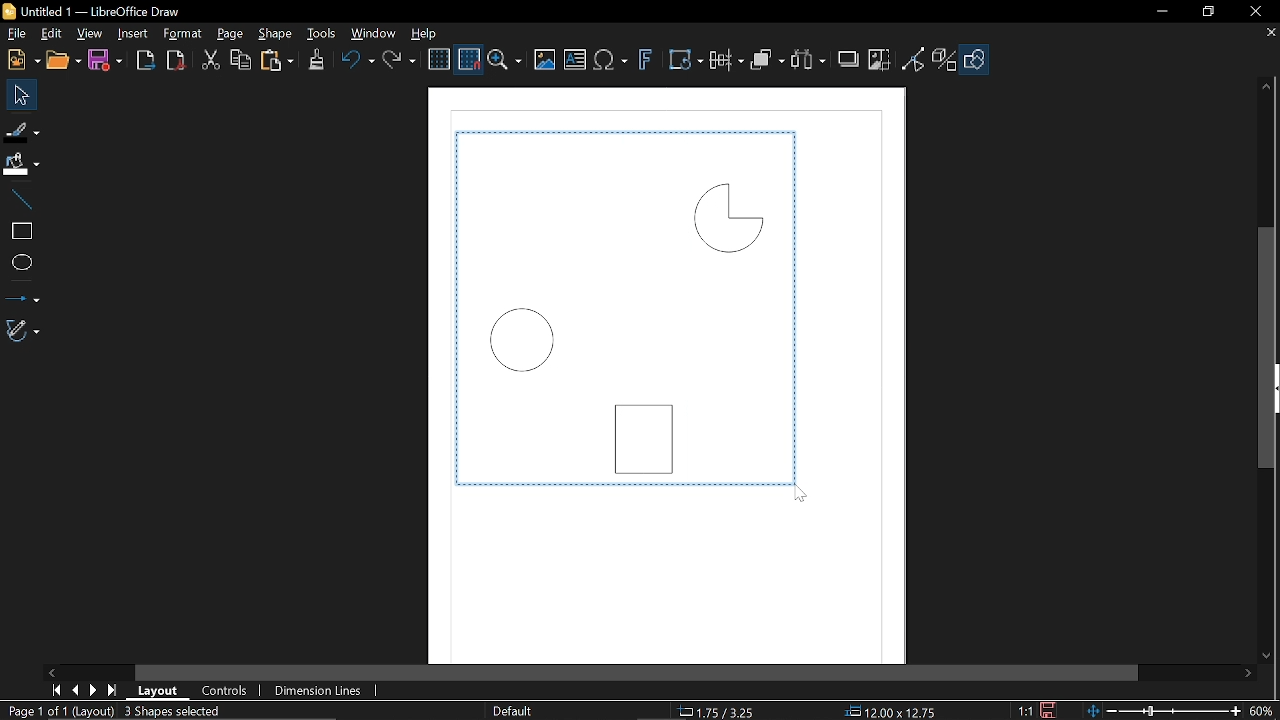  Describe the element at coordinates (1266, 658) in the screenshot. I see `Move down` at that location.